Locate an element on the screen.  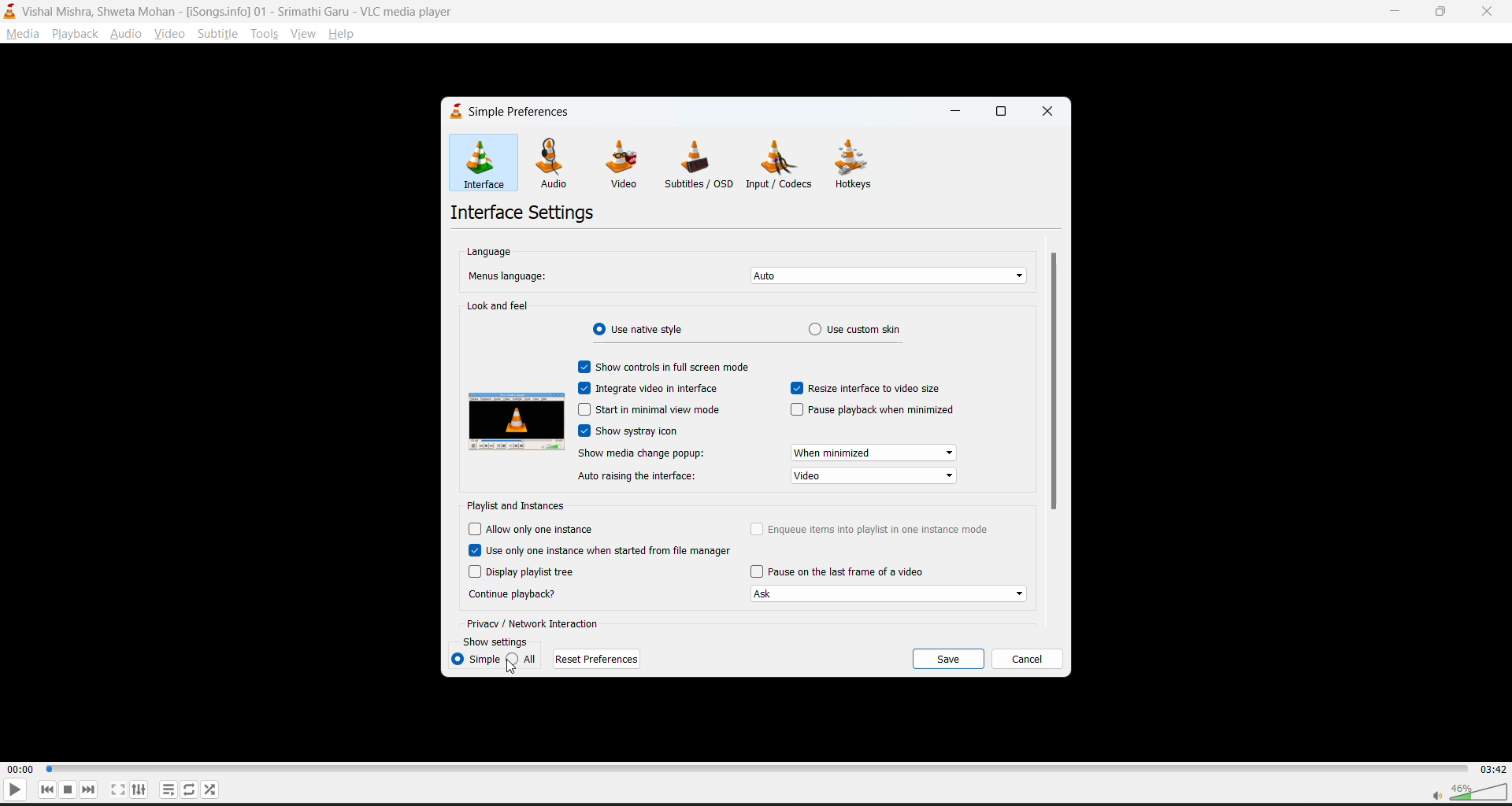
video is located at coordinates (874, 477).